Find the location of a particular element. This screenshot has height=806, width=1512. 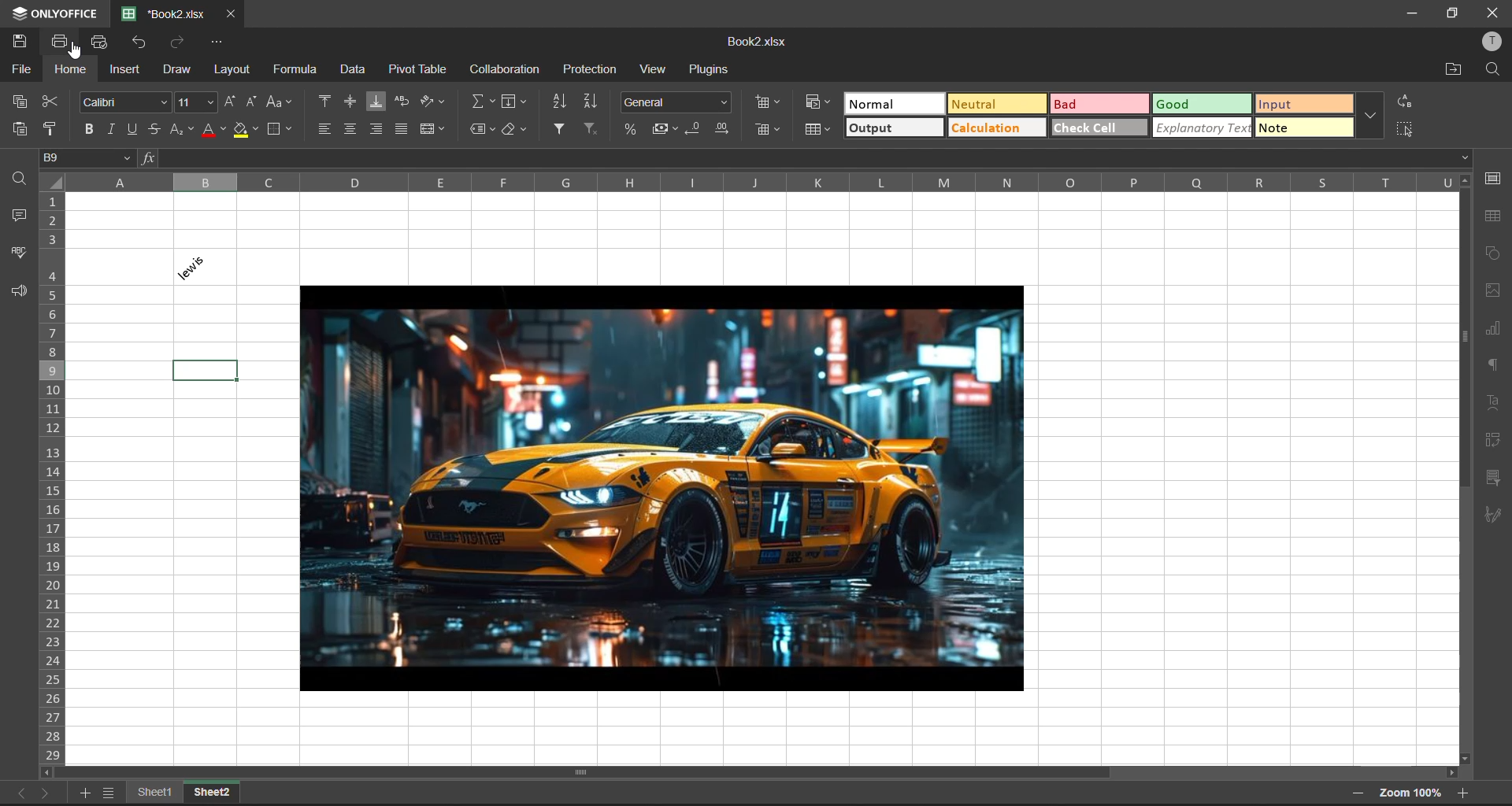

pivot table is located at coordinates (419, 72).